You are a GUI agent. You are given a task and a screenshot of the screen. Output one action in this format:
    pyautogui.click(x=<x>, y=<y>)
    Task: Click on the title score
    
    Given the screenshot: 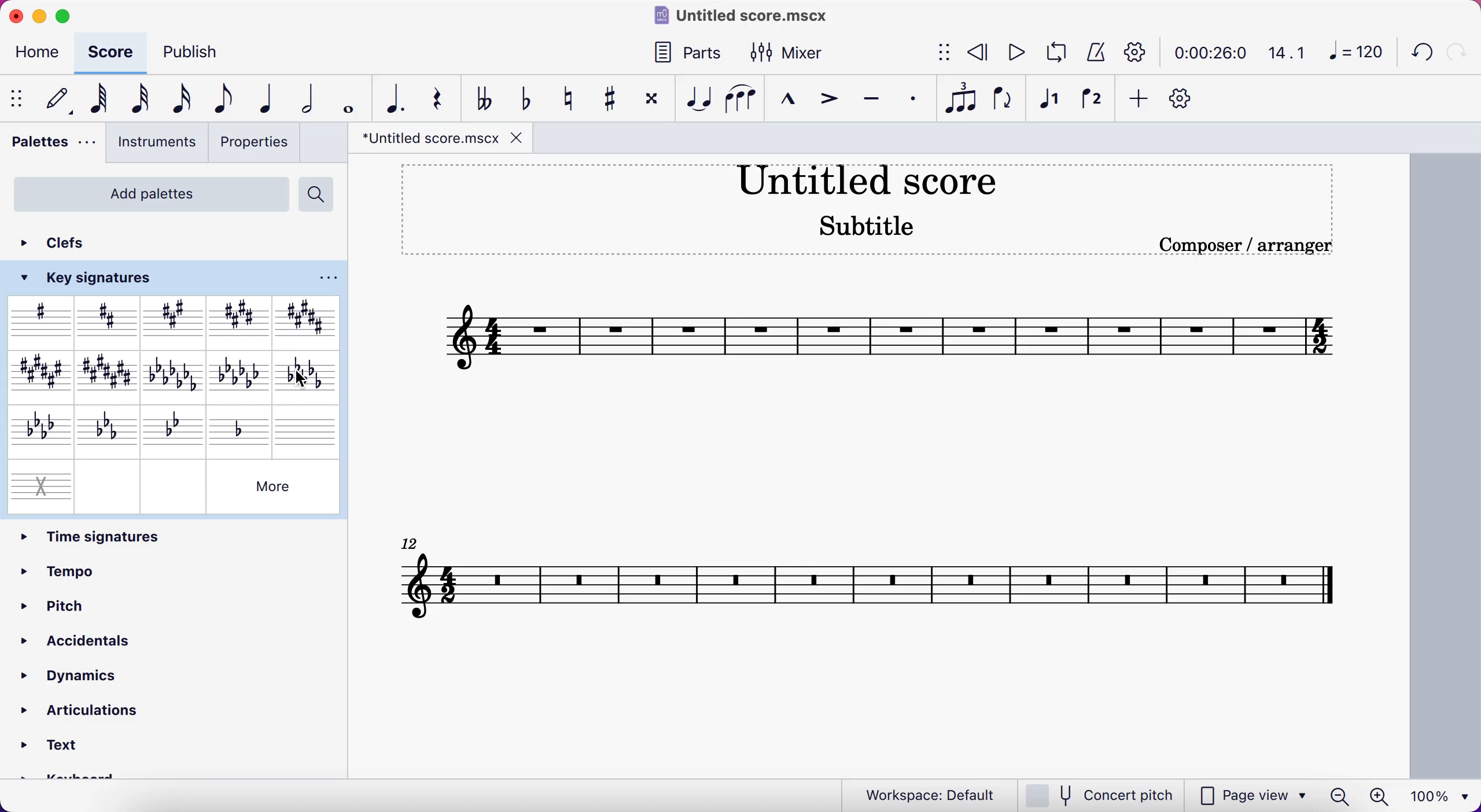 What is the action you would take?
    pyautogui.click(x=867, y=182)
    